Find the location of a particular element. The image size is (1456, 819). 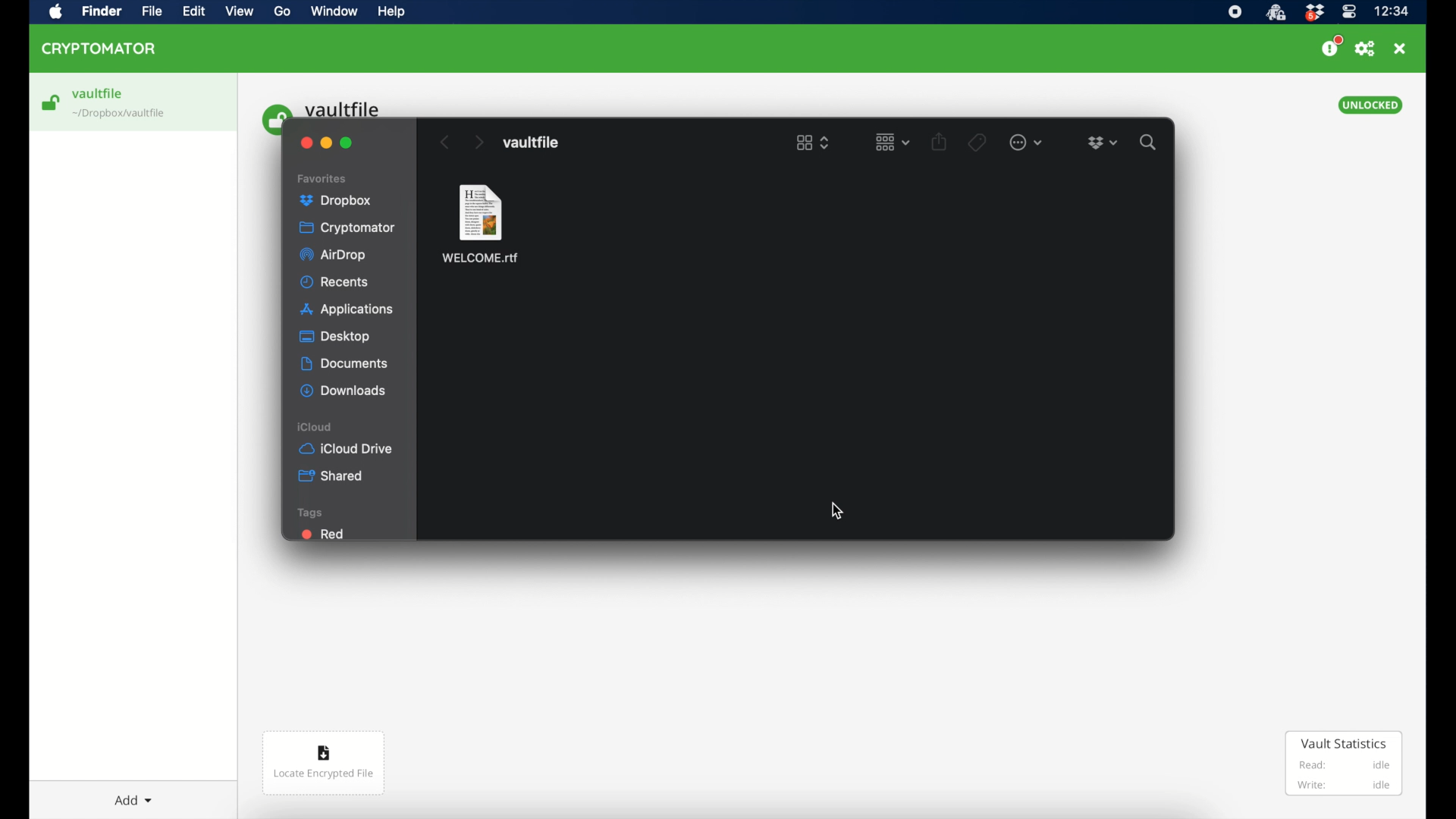

maximize is located at coordinates (347, 143).